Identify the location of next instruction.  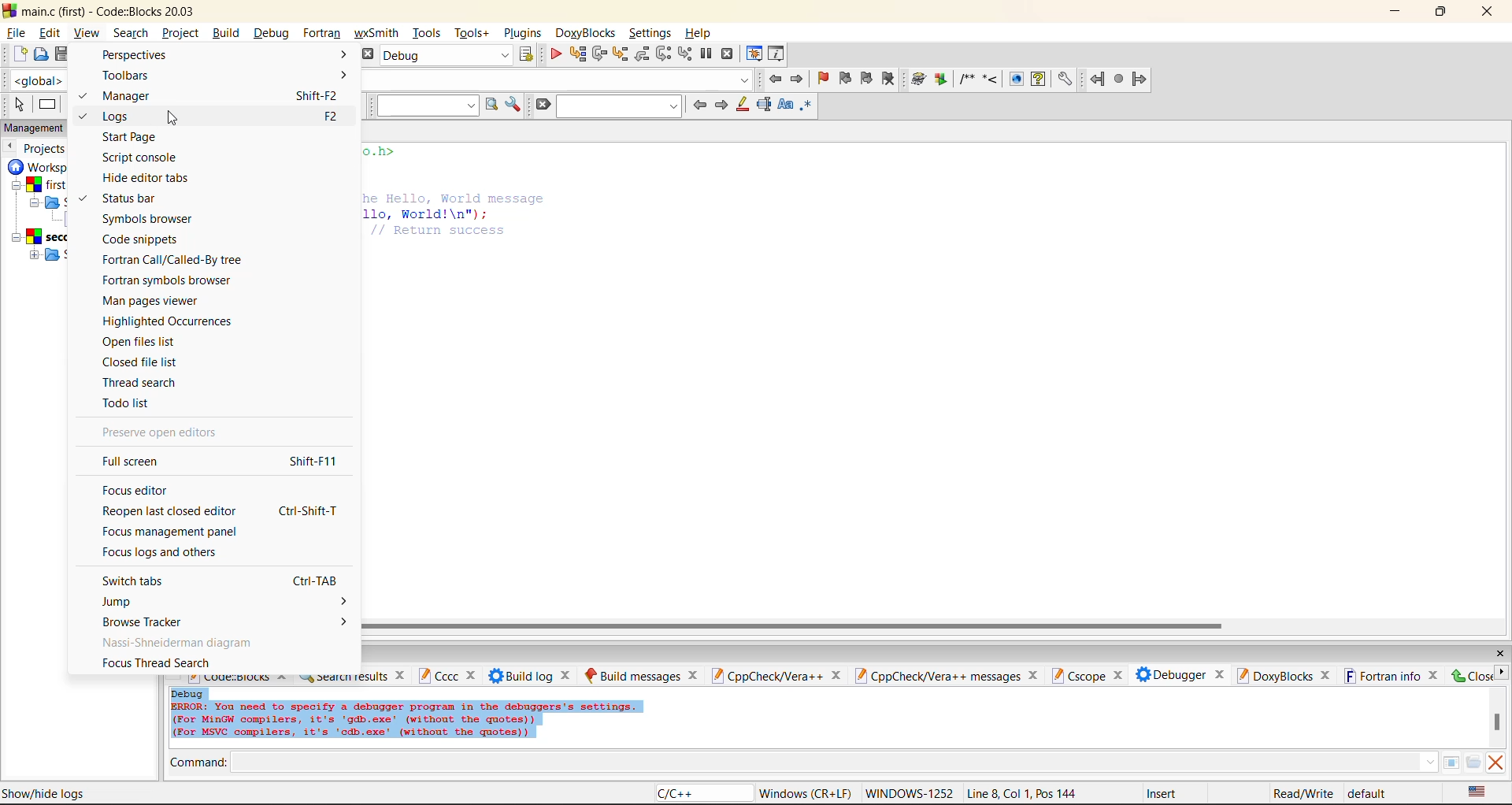
(664, 53).